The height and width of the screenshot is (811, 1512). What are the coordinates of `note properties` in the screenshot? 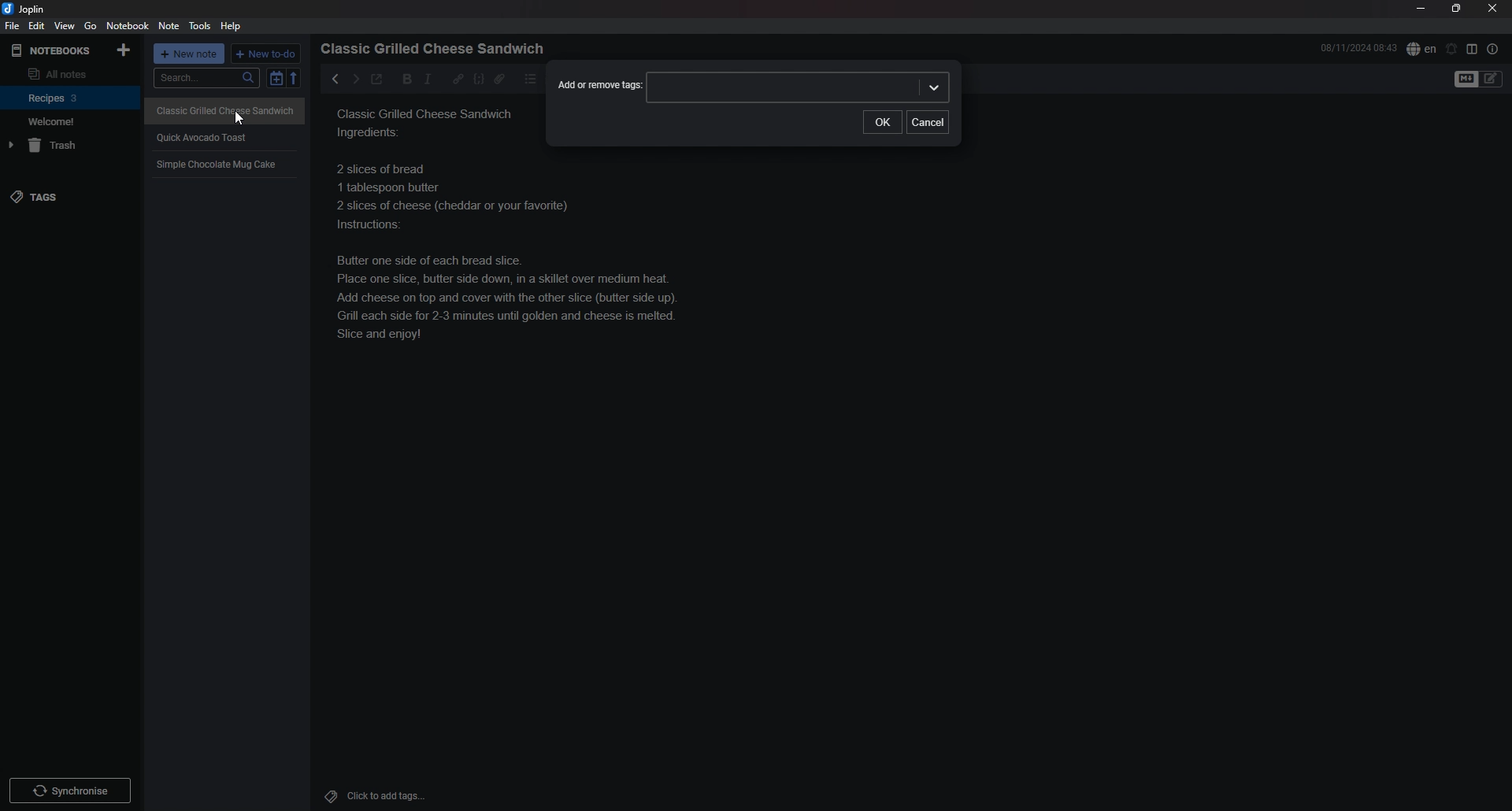 It's located at (1493, 49).